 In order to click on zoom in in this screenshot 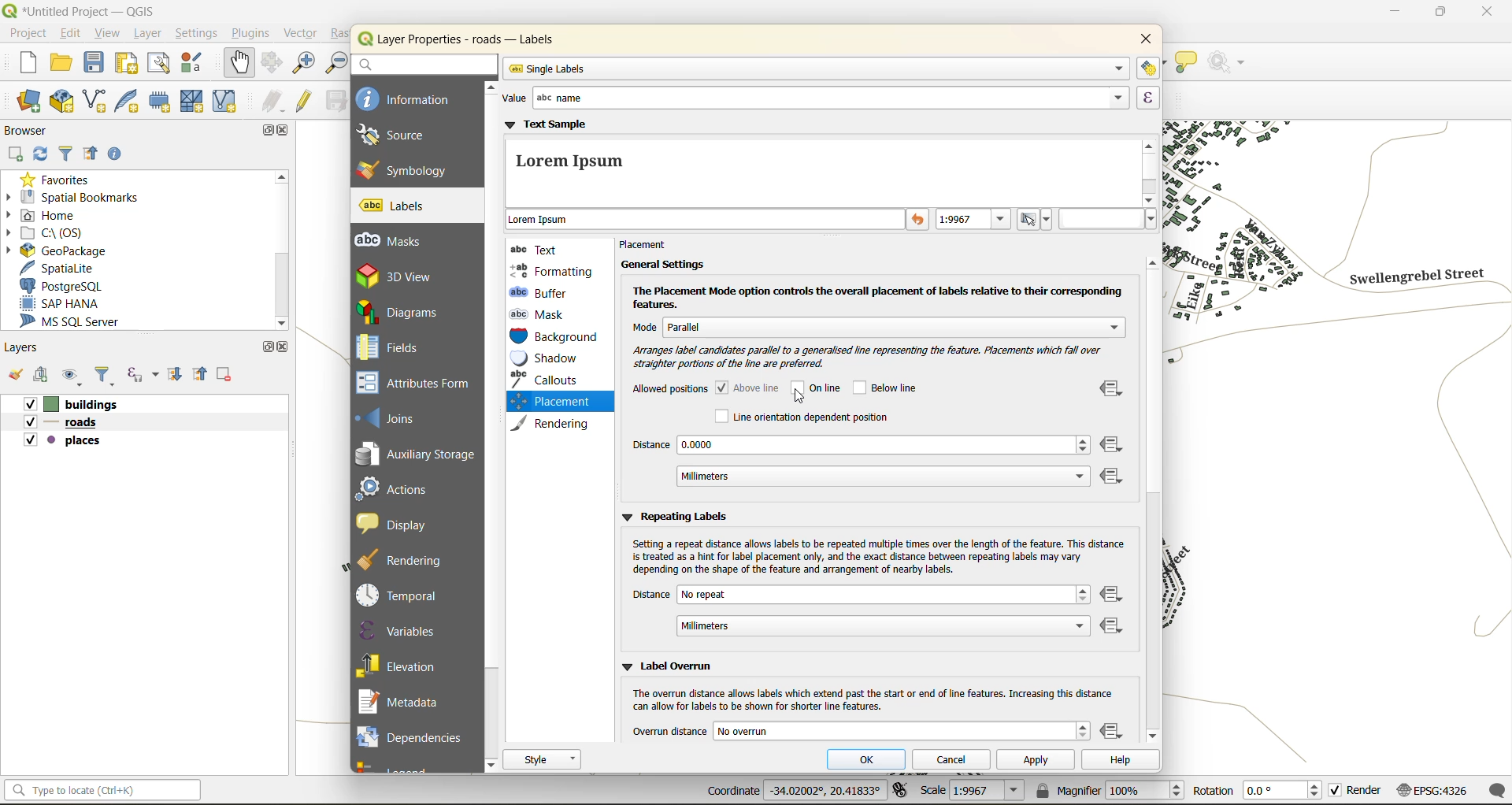, I will do `click(306, 65)`.